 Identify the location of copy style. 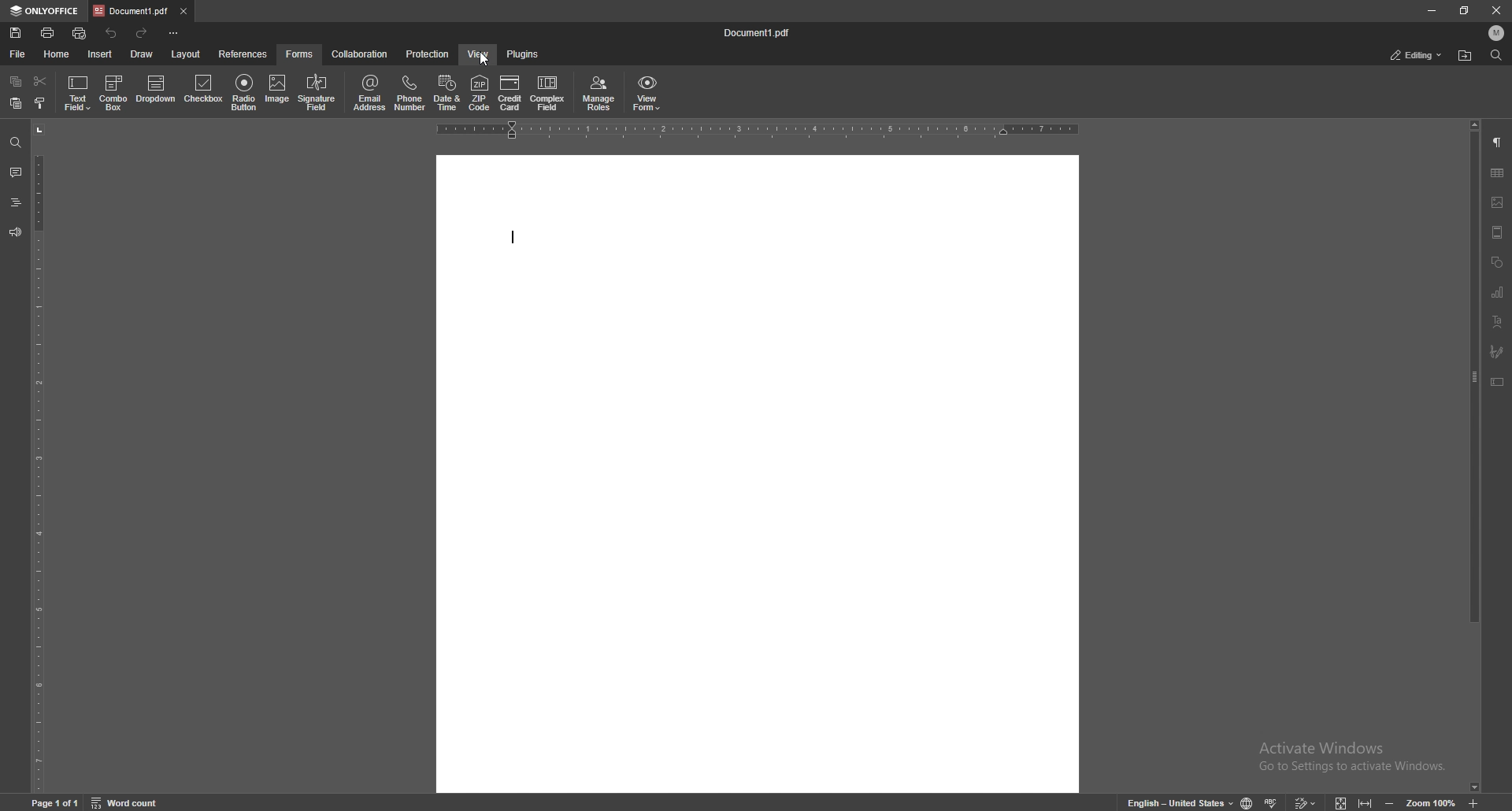
(40, 103).